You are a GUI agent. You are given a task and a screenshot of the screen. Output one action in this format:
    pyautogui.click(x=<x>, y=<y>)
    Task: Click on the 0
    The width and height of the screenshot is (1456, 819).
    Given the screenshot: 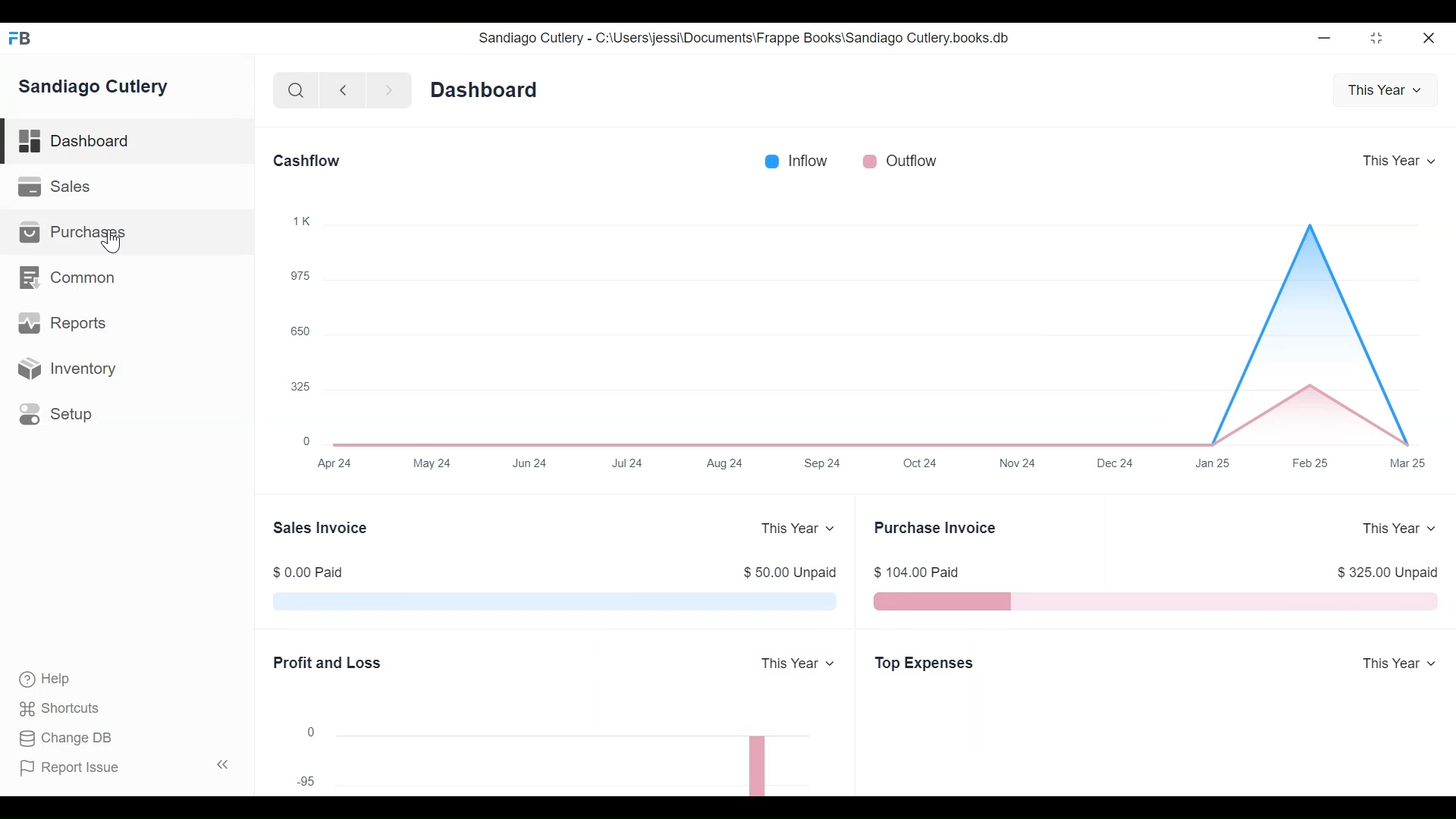 What is the action you would take?
    pyautogui.click(x=318, y=726)
    